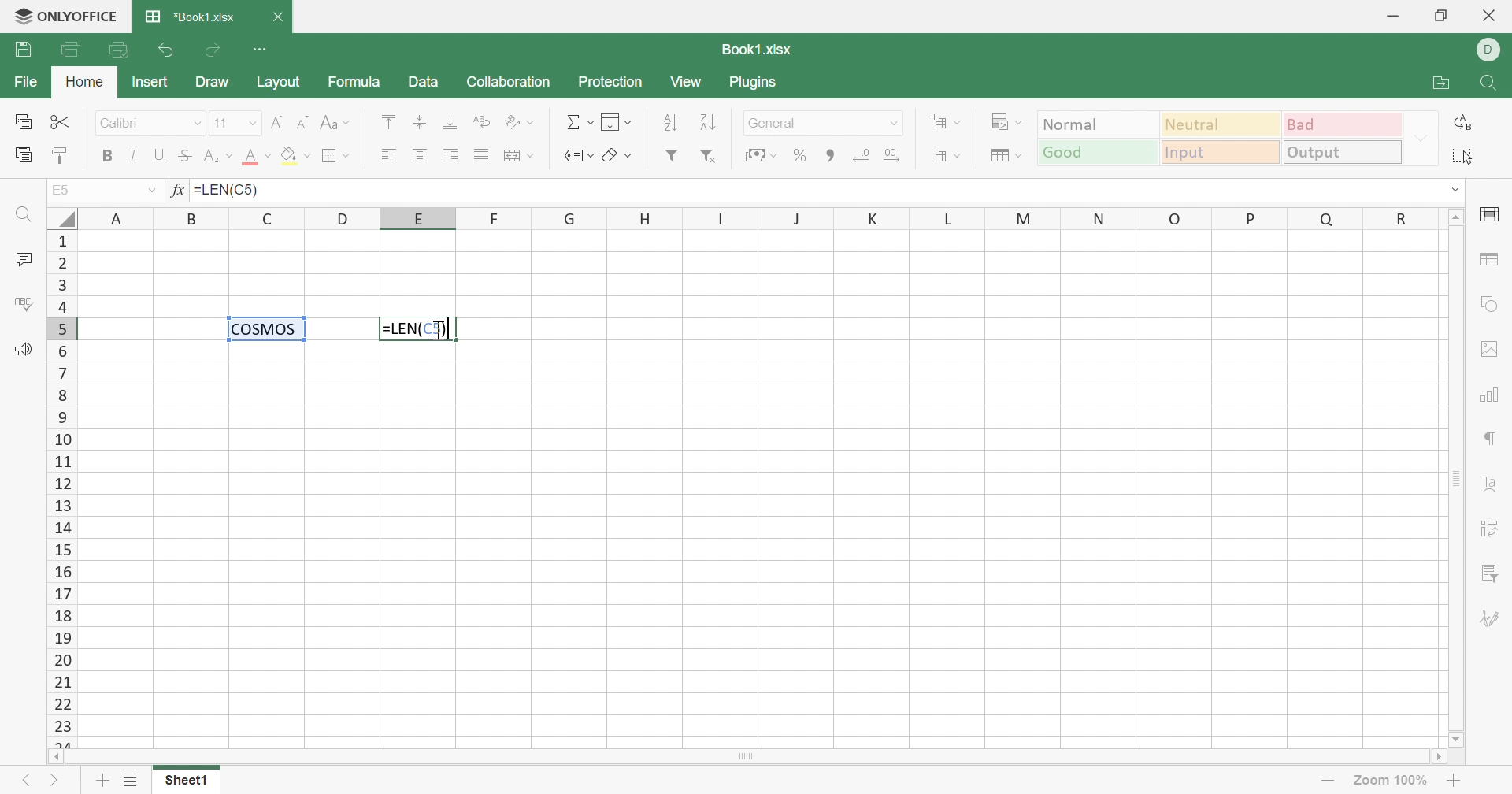 The height and width of the screenshot is (794, 1512). Describe the element at coordinates (1453, 190) in the screenshot. I see `Drop down` at that location.